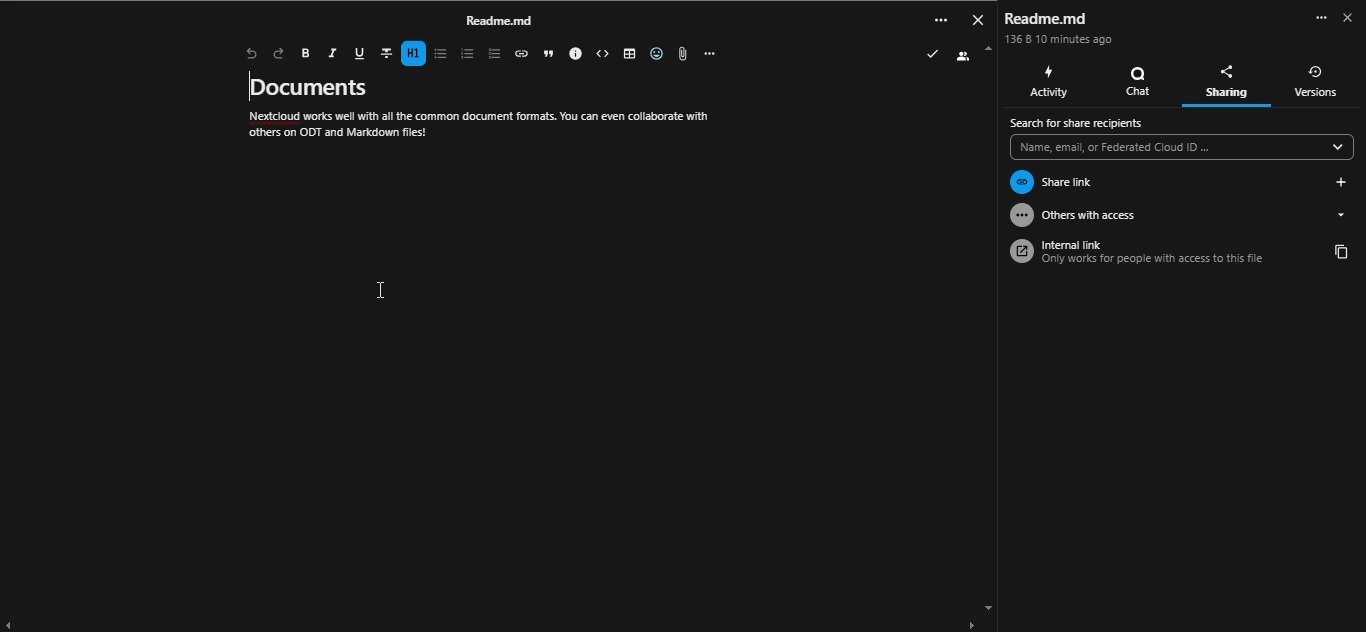  What do you see at coordinates (500, 20) in the screenshot?
I see `Readme.md` at bounding box center [500, 20].